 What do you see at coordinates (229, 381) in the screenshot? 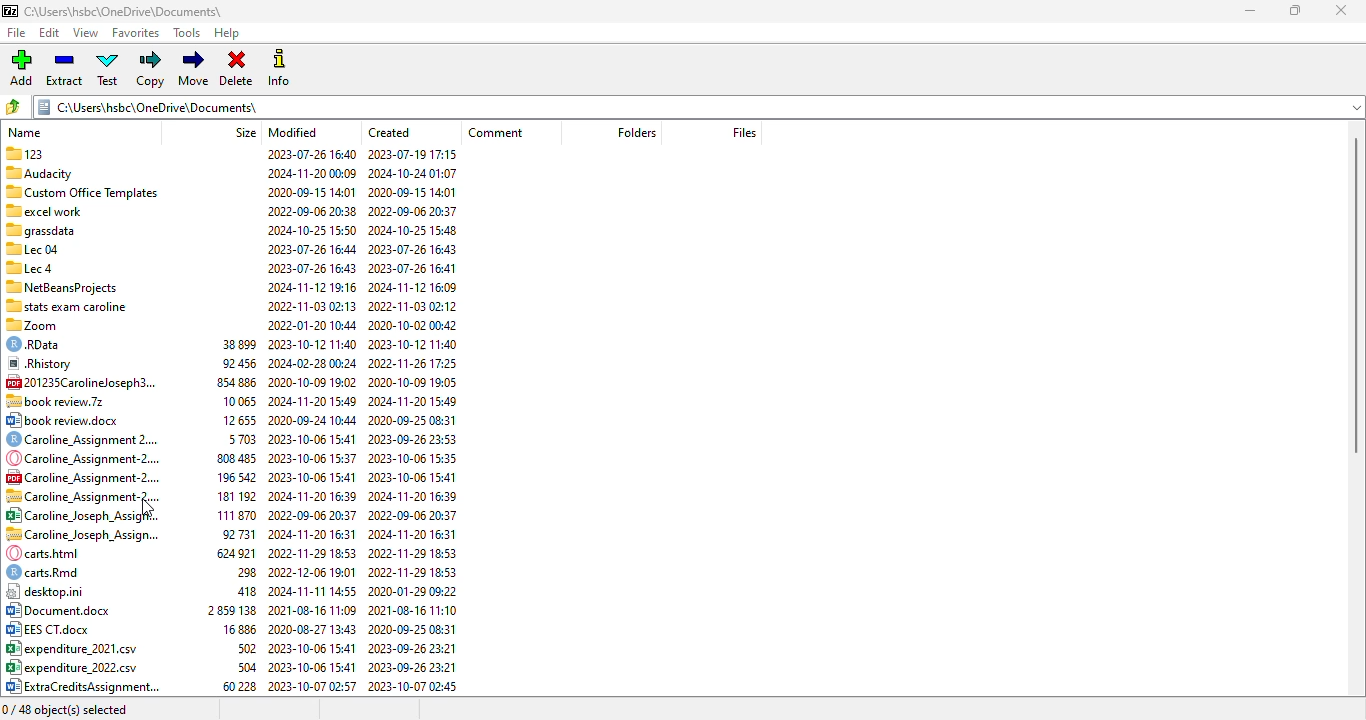
I see `C2 201235Carolineloseph3... 854 886 2020-10-09 19:02 2020-10-09 19:05` at bounding box center [229, 381].